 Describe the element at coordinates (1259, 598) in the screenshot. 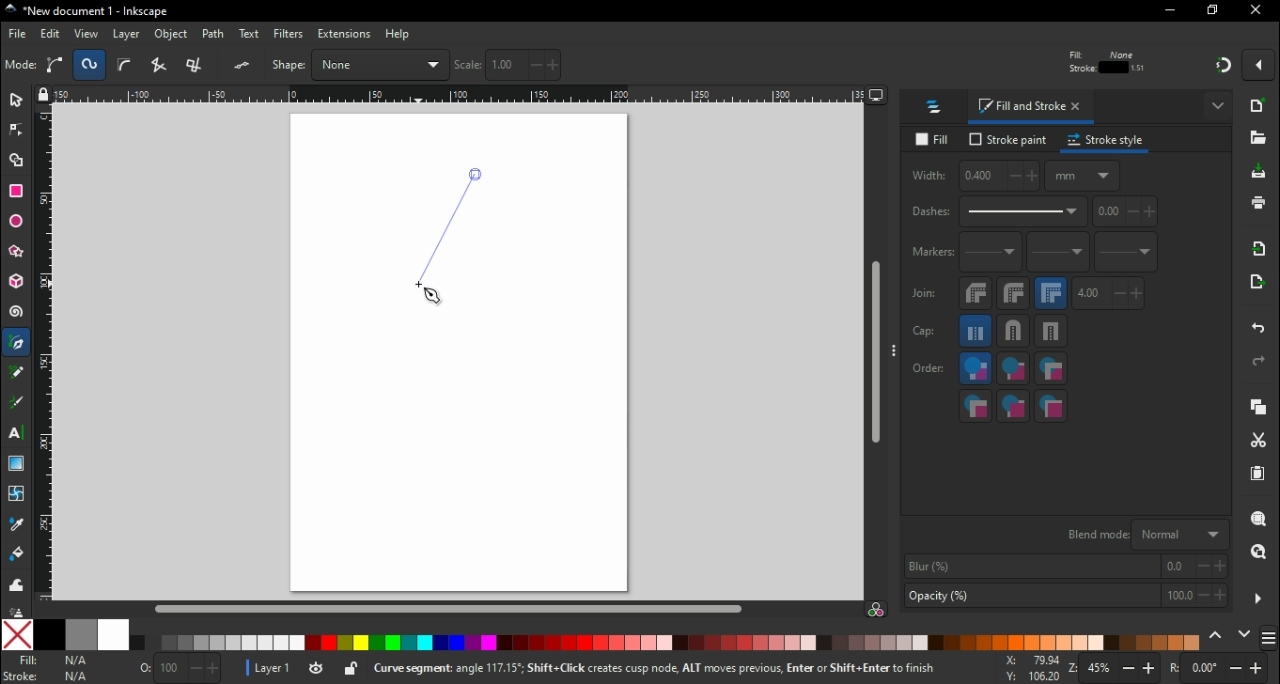

I see `more options` at that location.